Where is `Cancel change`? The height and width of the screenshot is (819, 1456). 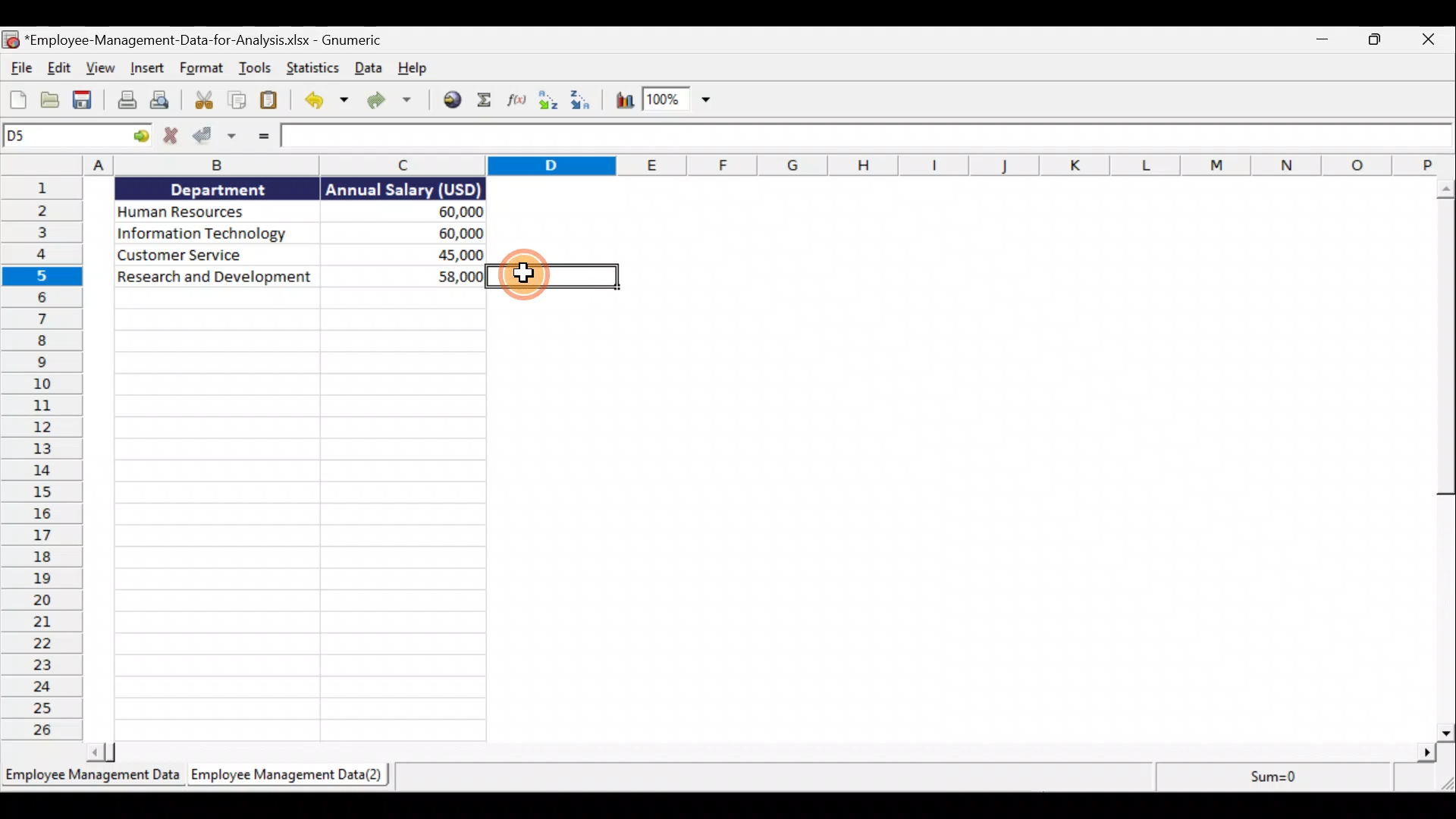
Cancel change is located at coordinates (168, 137).